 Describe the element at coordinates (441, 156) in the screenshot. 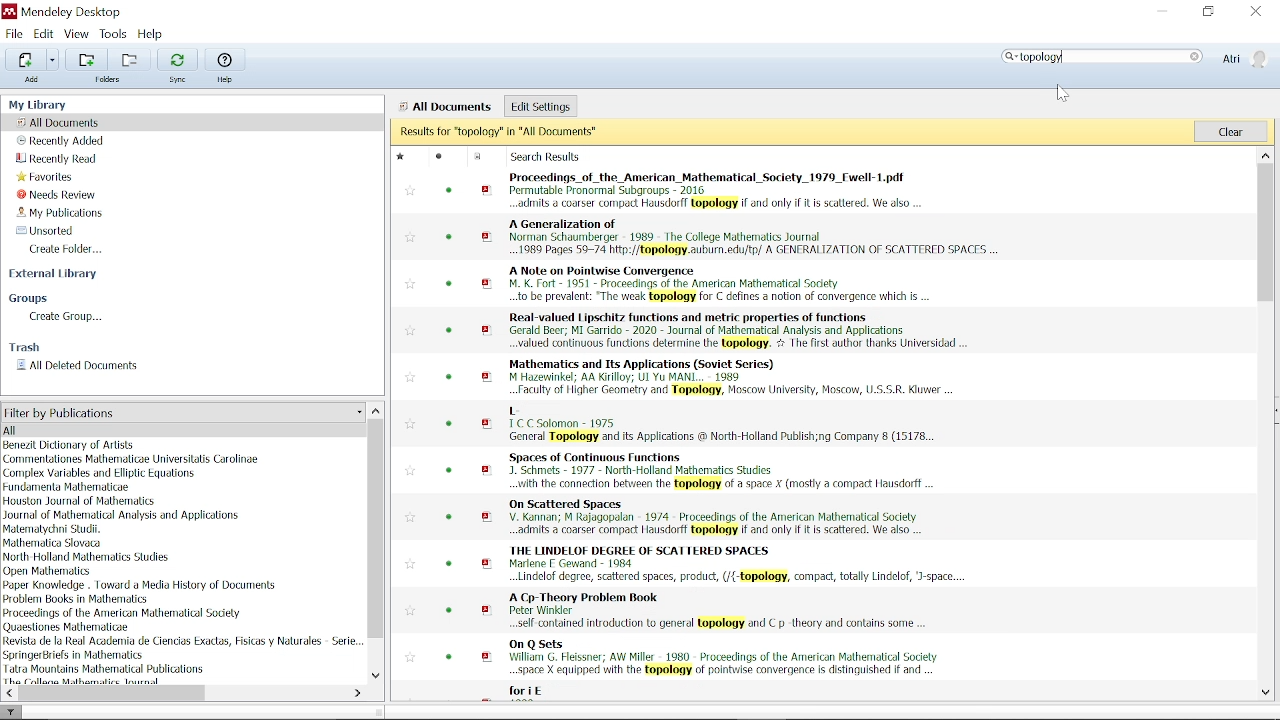

I see `read` at that location.